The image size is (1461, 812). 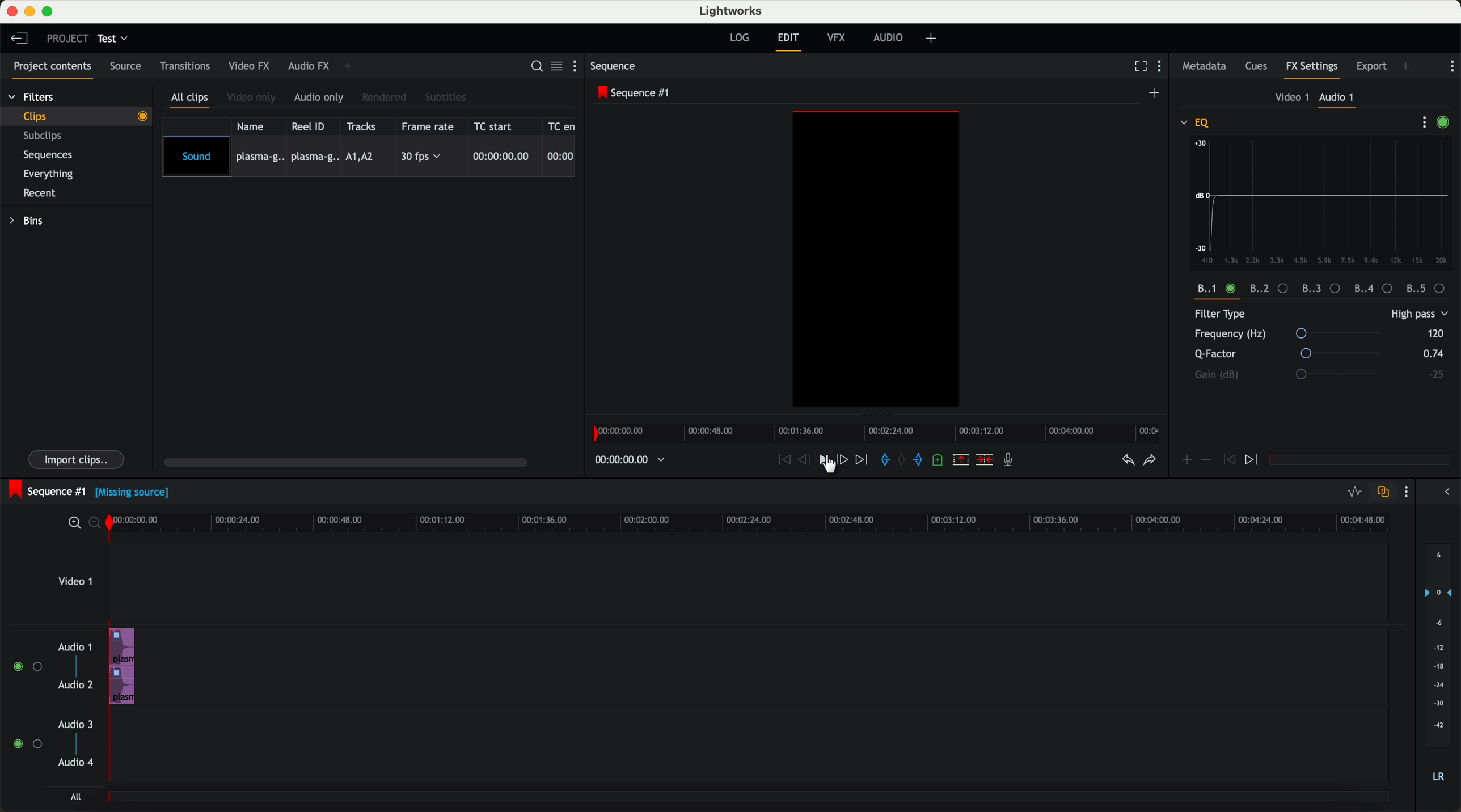 What do you see at coordinates (635, 94) in the screenshot?
I see `sequence #1` at bounding box center [635, 94].